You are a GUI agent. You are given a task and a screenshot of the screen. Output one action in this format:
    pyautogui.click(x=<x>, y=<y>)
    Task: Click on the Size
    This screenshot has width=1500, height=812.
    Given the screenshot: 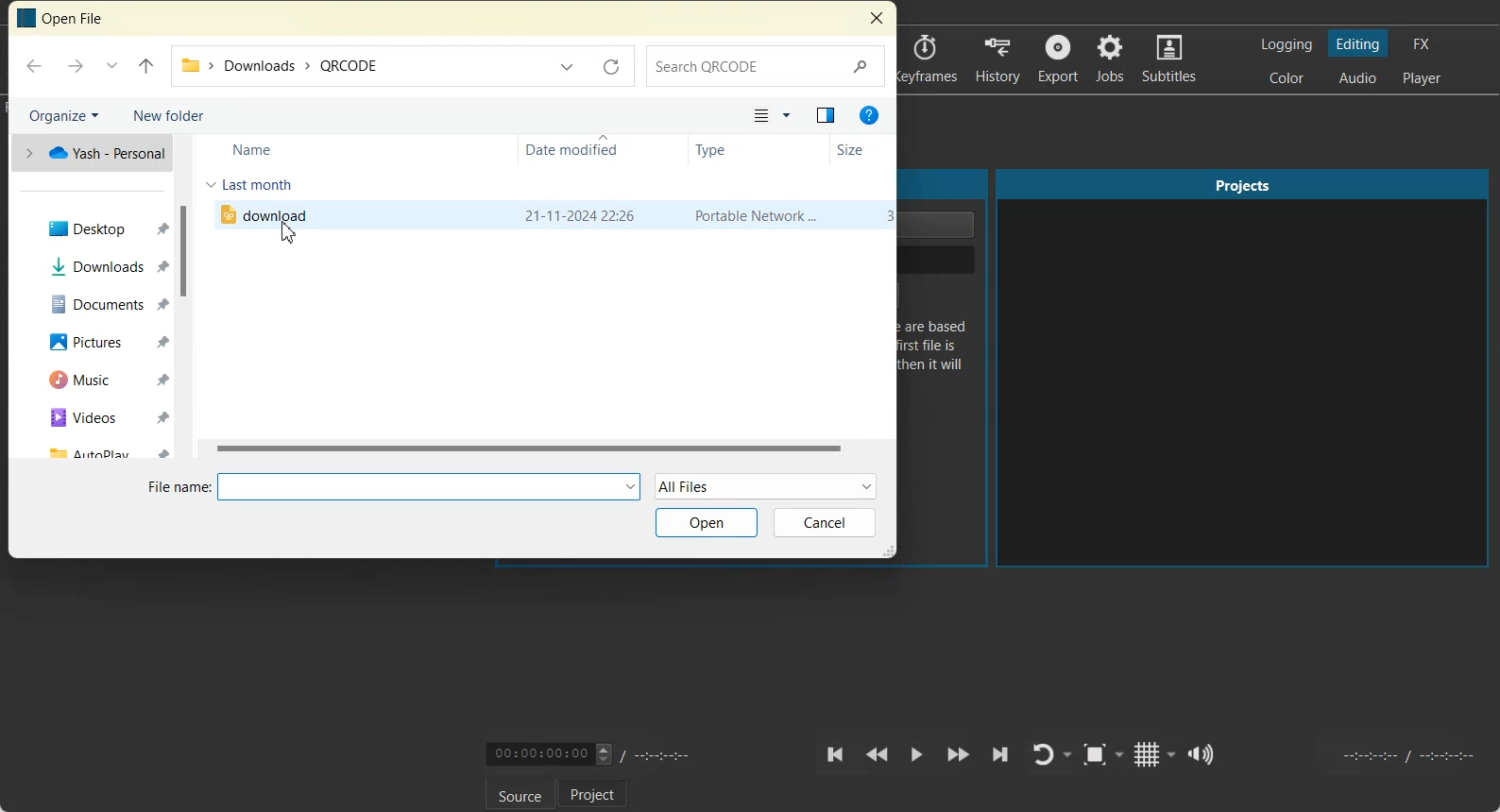 What is the action you would take?
    pyautogui.click(x=859, y=151)
    